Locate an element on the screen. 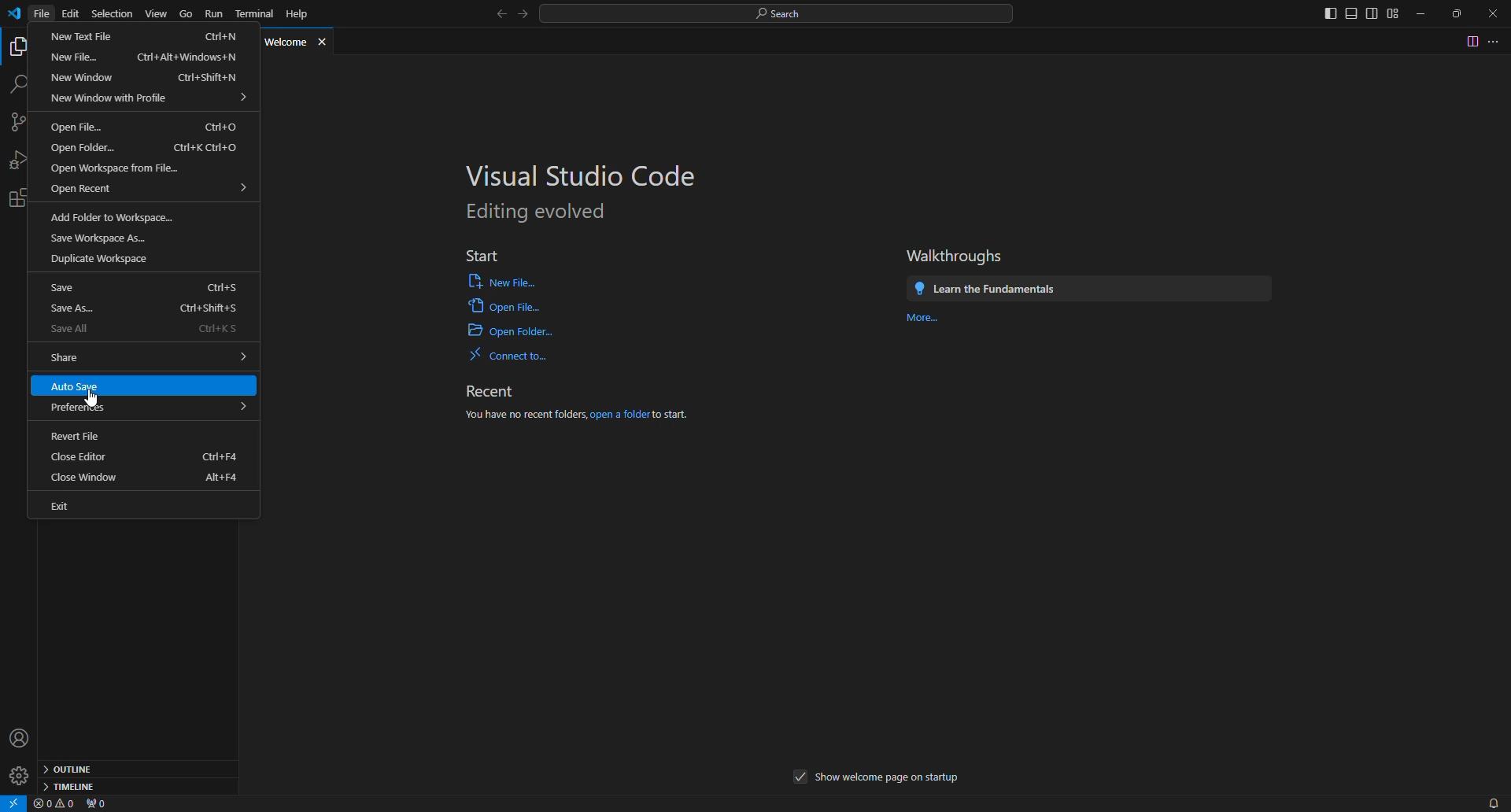 This screenshot has width=1511, height=812. manage is located at coordinates (20, 774).